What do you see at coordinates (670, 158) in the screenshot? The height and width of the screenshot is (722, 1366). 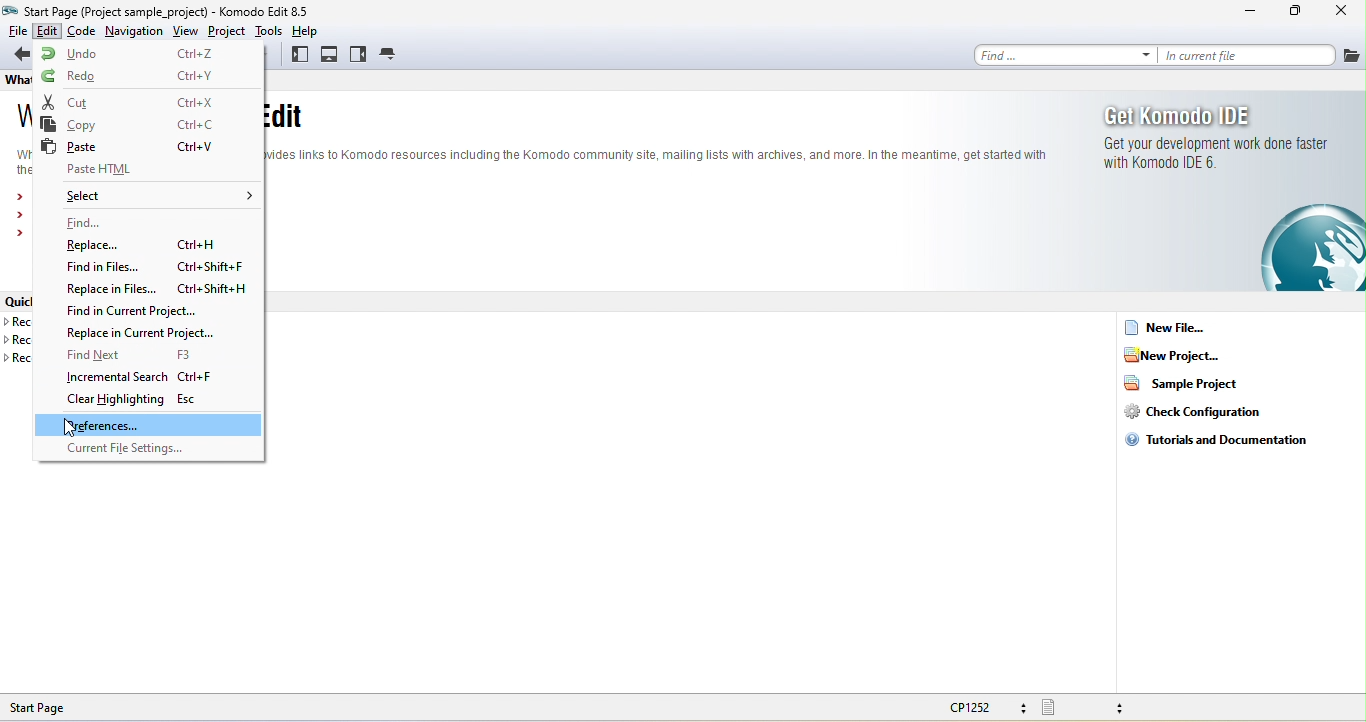 I see `when connected to the internet this panel provide link to komodo resources including the community site mailing list with archive and more.` at bounding box center [670, 158].